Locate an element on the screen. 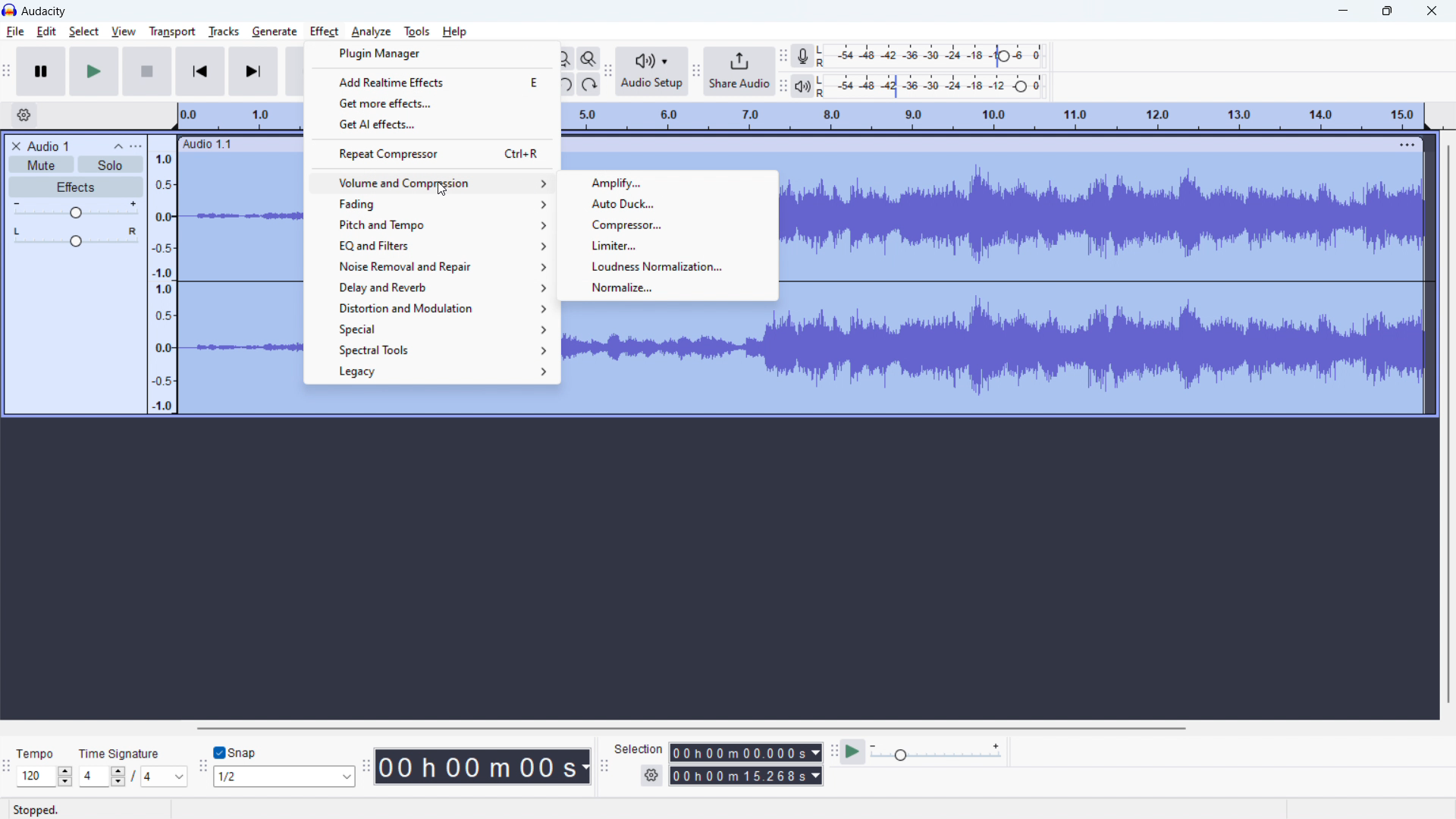 This screenshot has width=1456, height=819. Tempo is located at coordinates (40, 749).